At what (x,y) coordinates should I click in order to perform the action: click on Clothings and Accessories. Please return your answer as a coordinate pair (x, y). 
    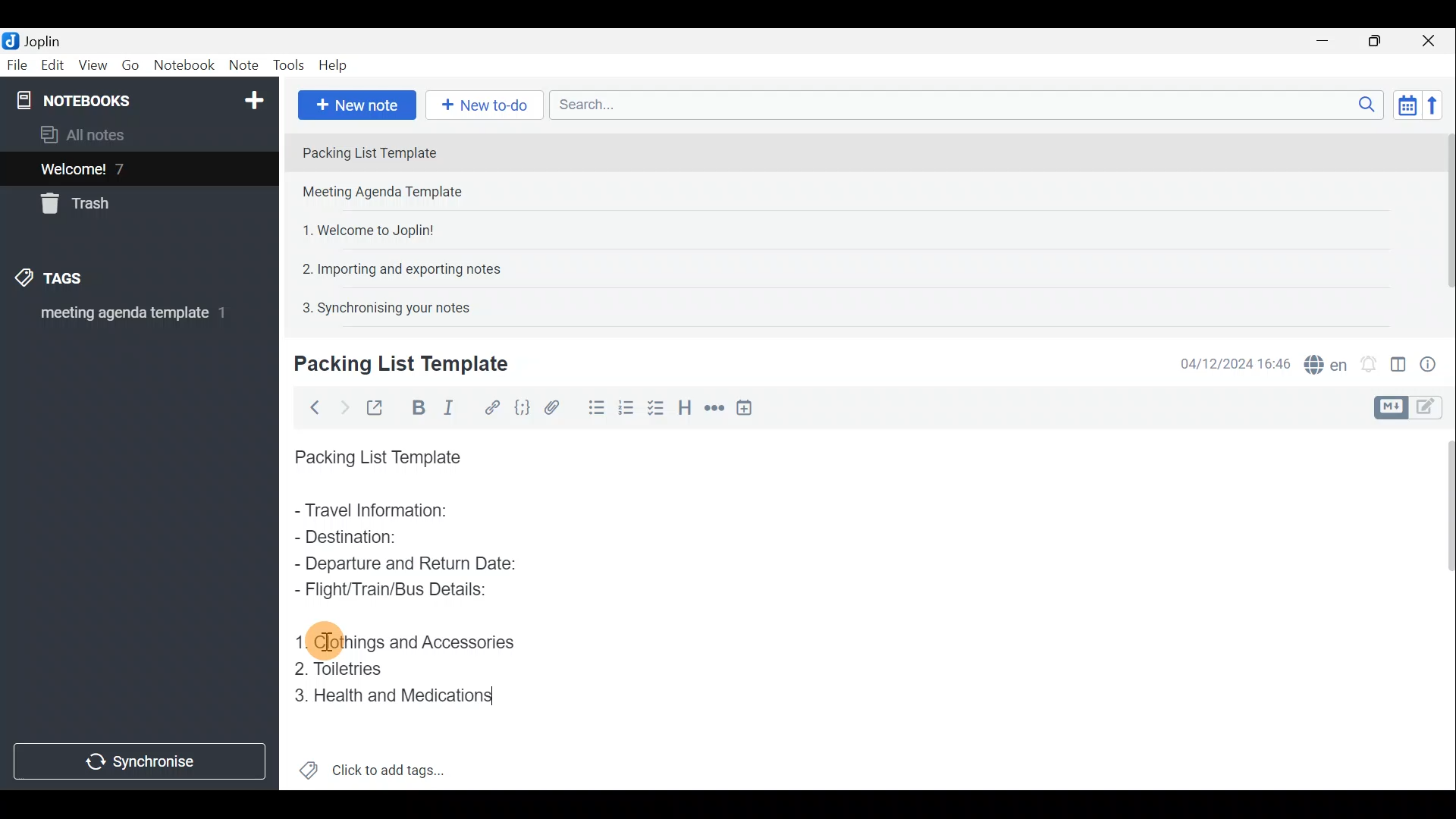
    Looking at the image, I should click on (412, 639).